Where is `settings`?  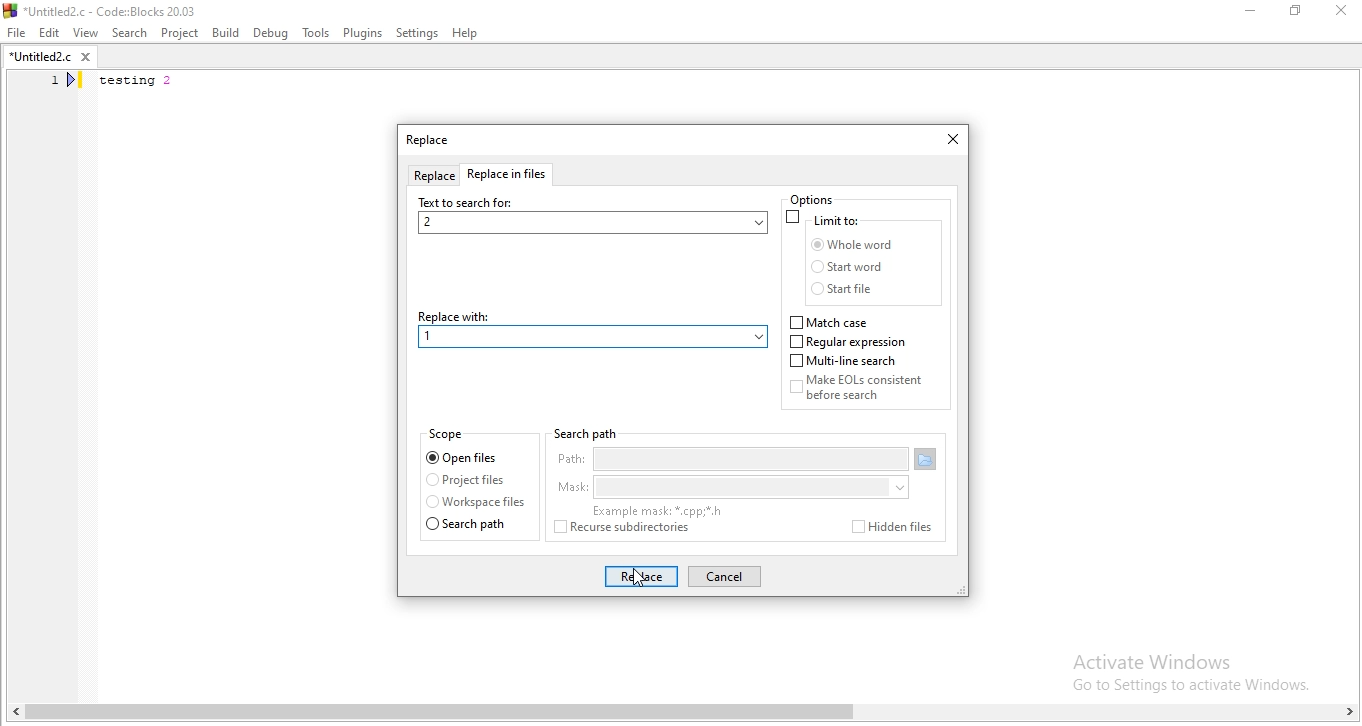 settings is located at coordinates (418, 33).